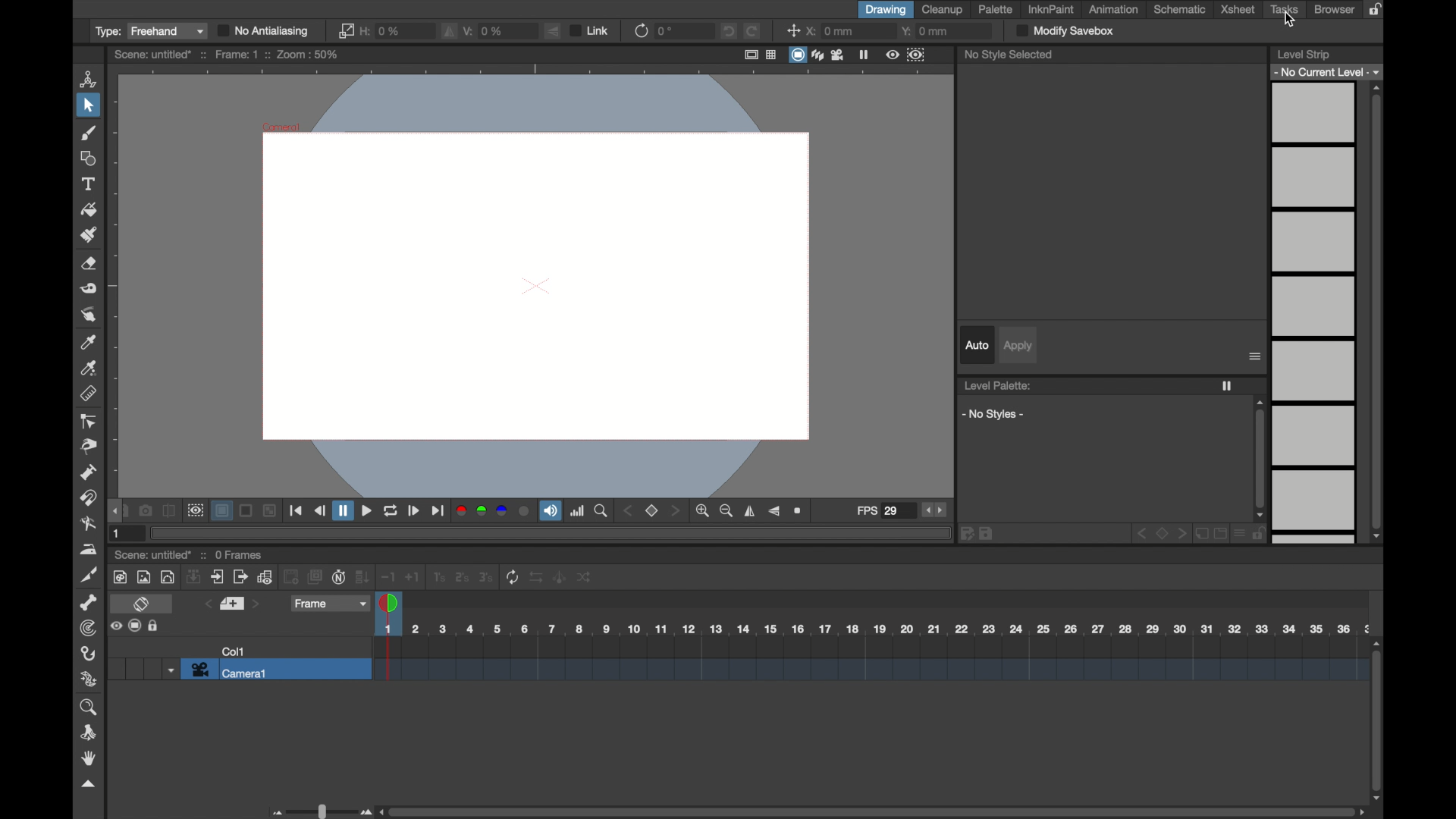  Describe the element at coordinates (88, 289) in the screenshot. I see `tape tool` at that location.